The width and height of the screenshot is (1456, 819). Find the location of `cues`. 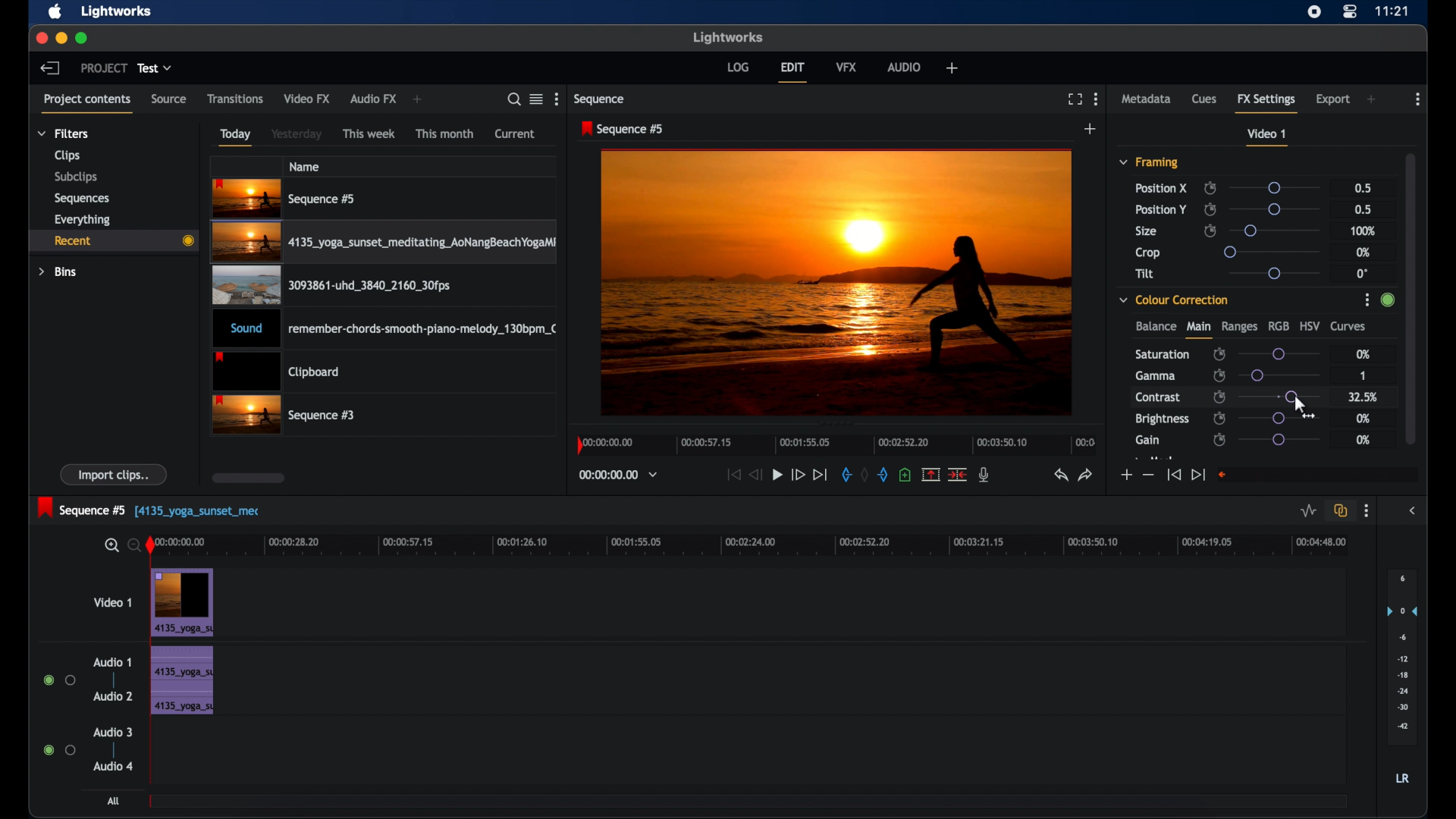

cues is located at coordinates (1204, 102).